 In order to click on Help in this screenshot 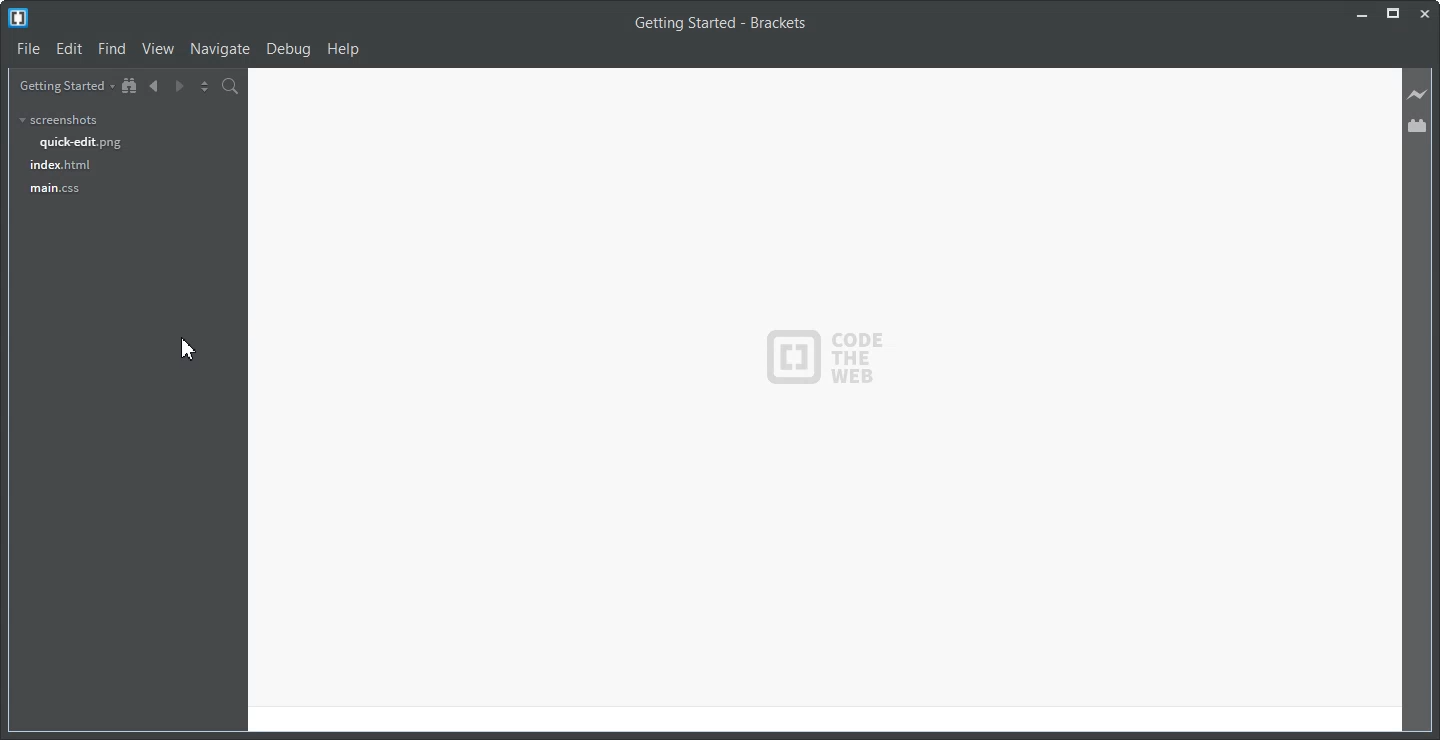, I will do `click(346, 50)`.